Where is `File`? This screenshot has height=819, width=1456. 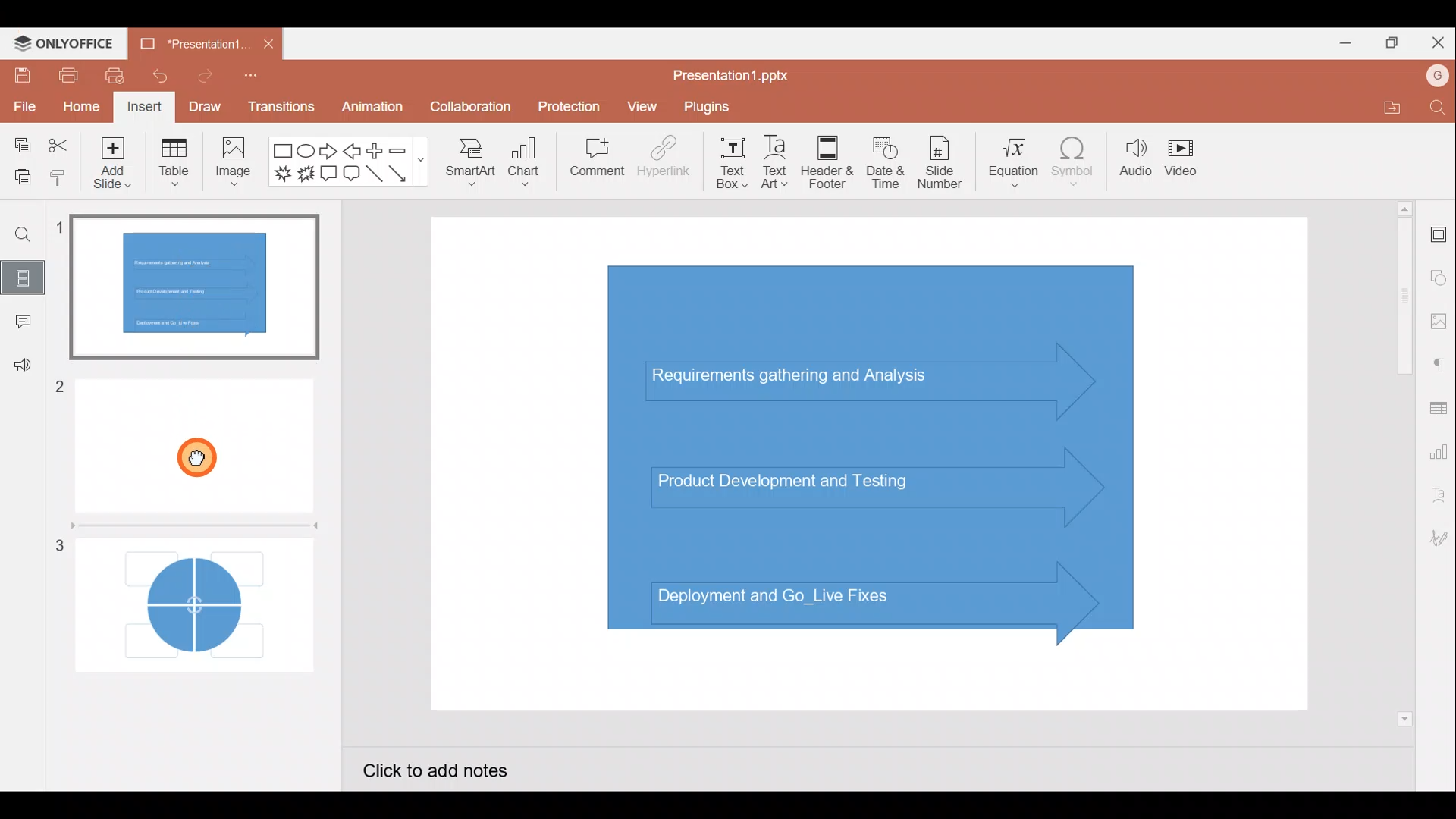
File is located at coordinates (23, 106).